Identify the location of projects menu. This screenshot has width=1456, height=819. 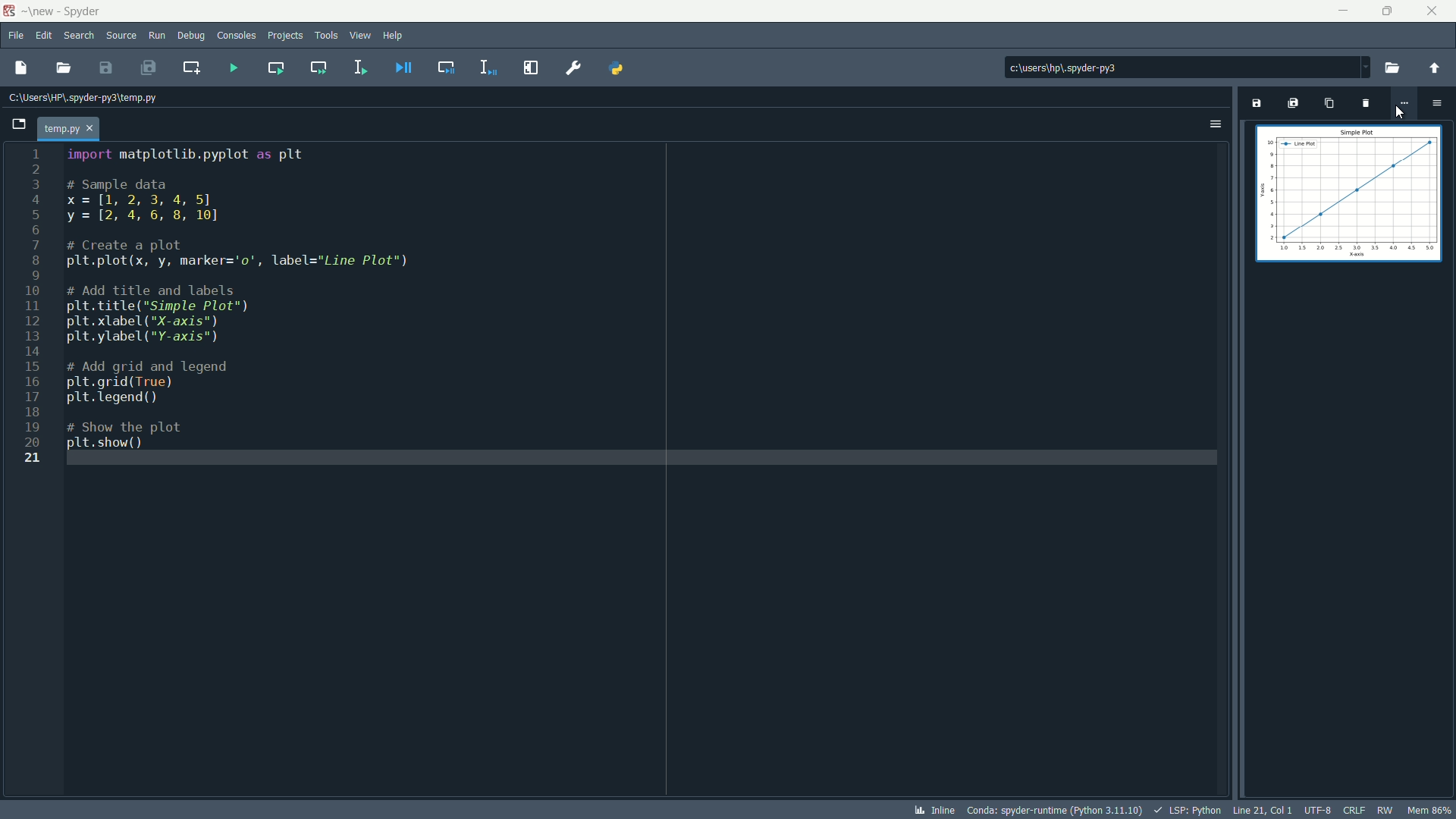
(285, 36).